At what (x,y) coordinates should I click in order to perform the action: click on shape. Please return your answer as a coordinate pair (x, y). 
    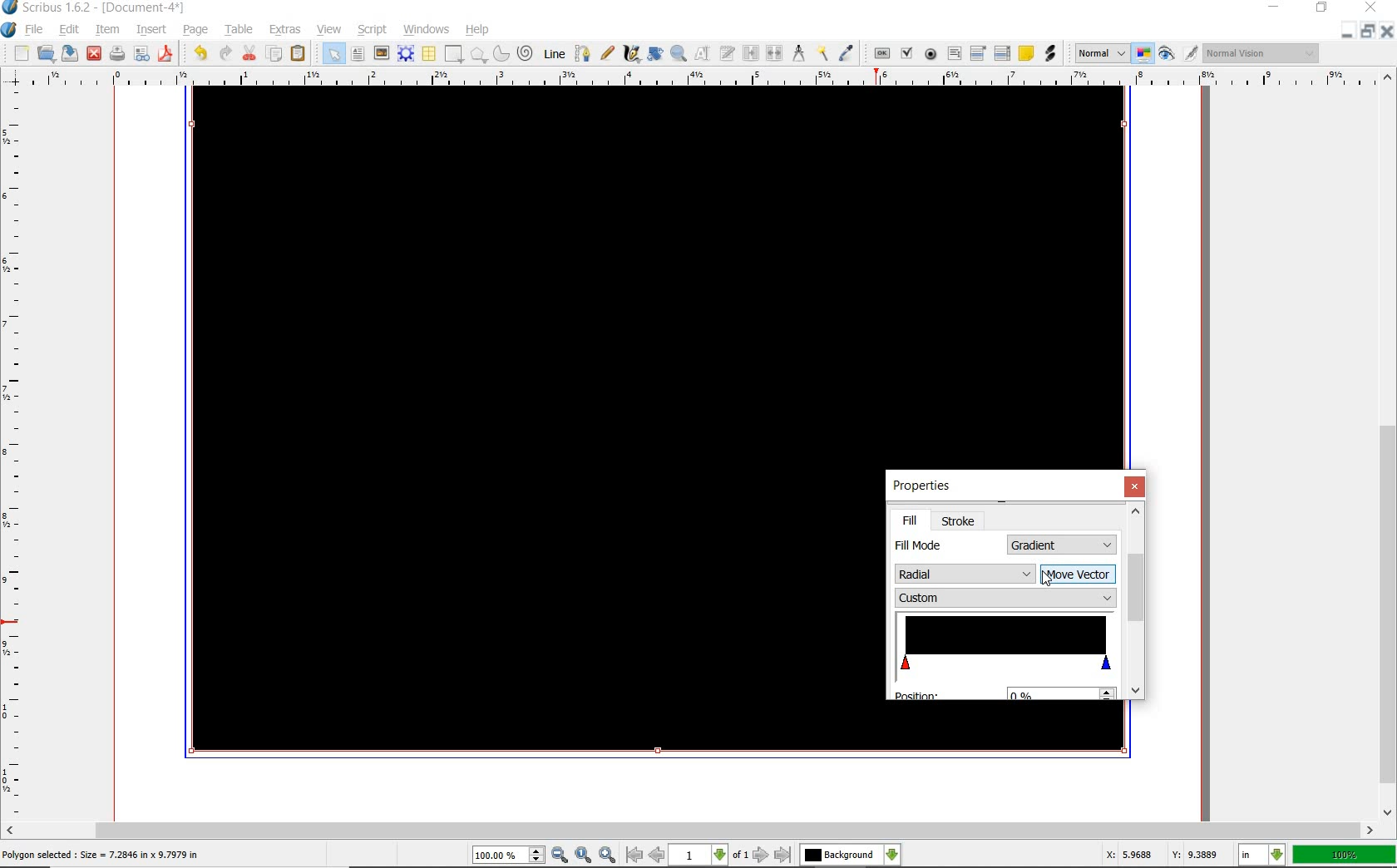
    Looking at the image, I should click on (454, 55).